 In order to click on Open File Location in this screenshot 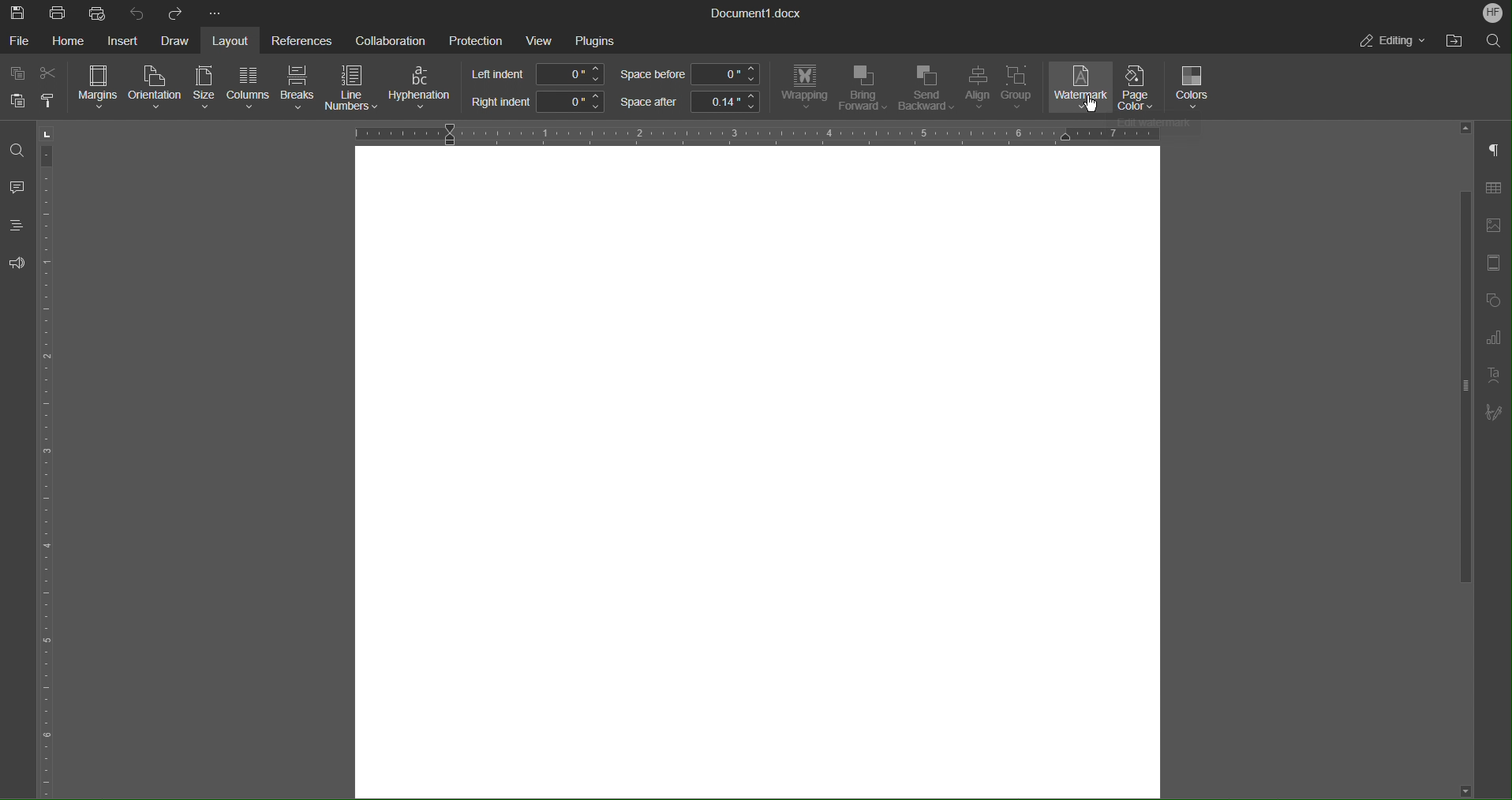, I will do `click(1450, 41)`.